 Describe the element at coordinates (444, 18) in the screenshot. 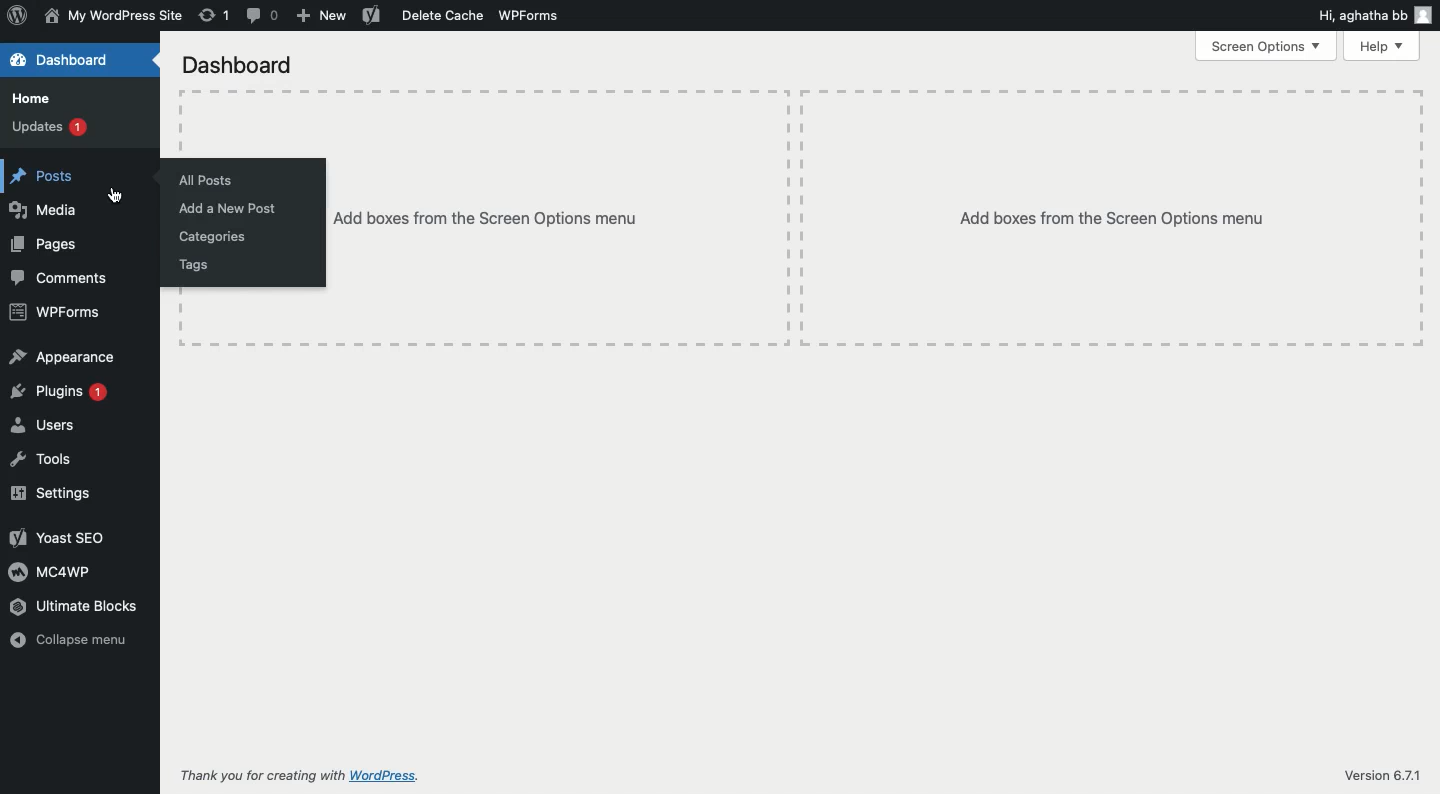

I see `Delete cache` at that location.